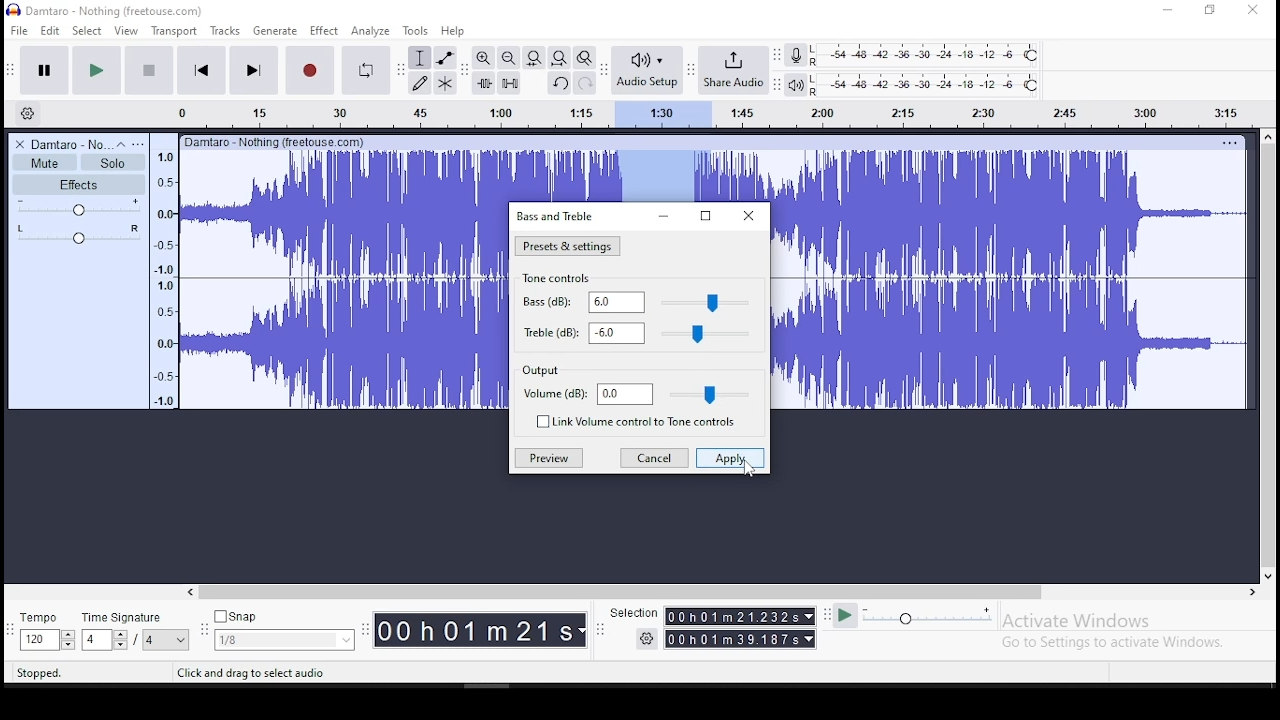 This screenshot has height=720, width=1280. What do you see at coordinates (811, 639) in the screenshot?
I see `drop down` at bounding box center [811, 639].